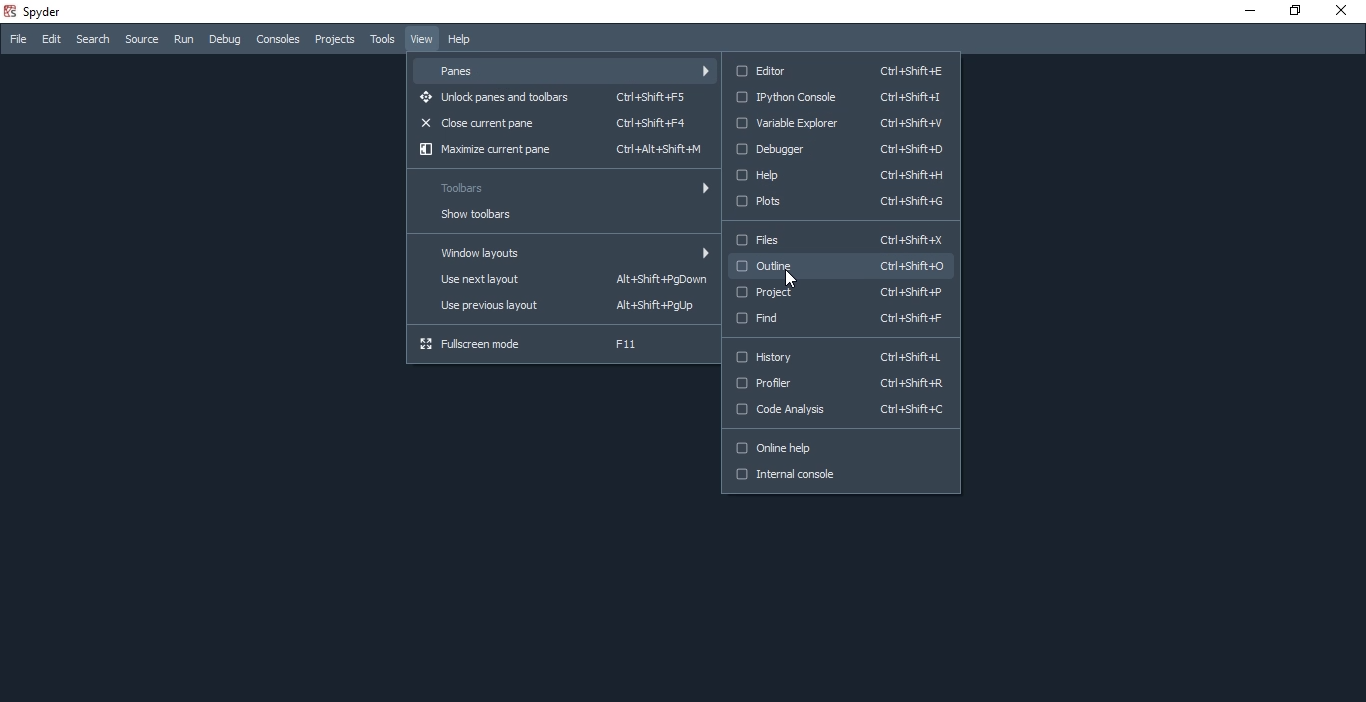  I want to click on Show toolbars, so click(561, 216).